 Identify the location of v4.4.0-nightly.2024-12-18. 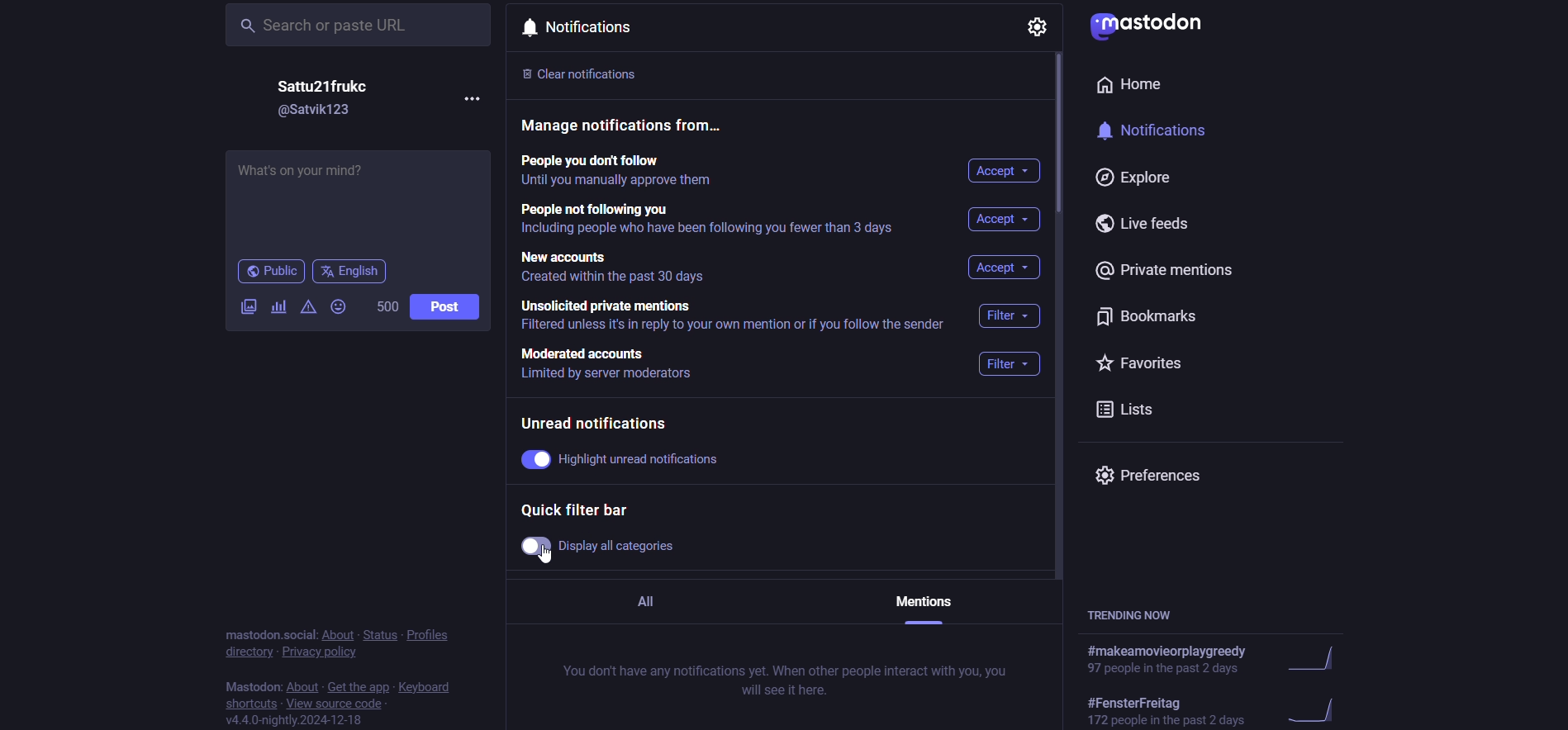
(298, 721).